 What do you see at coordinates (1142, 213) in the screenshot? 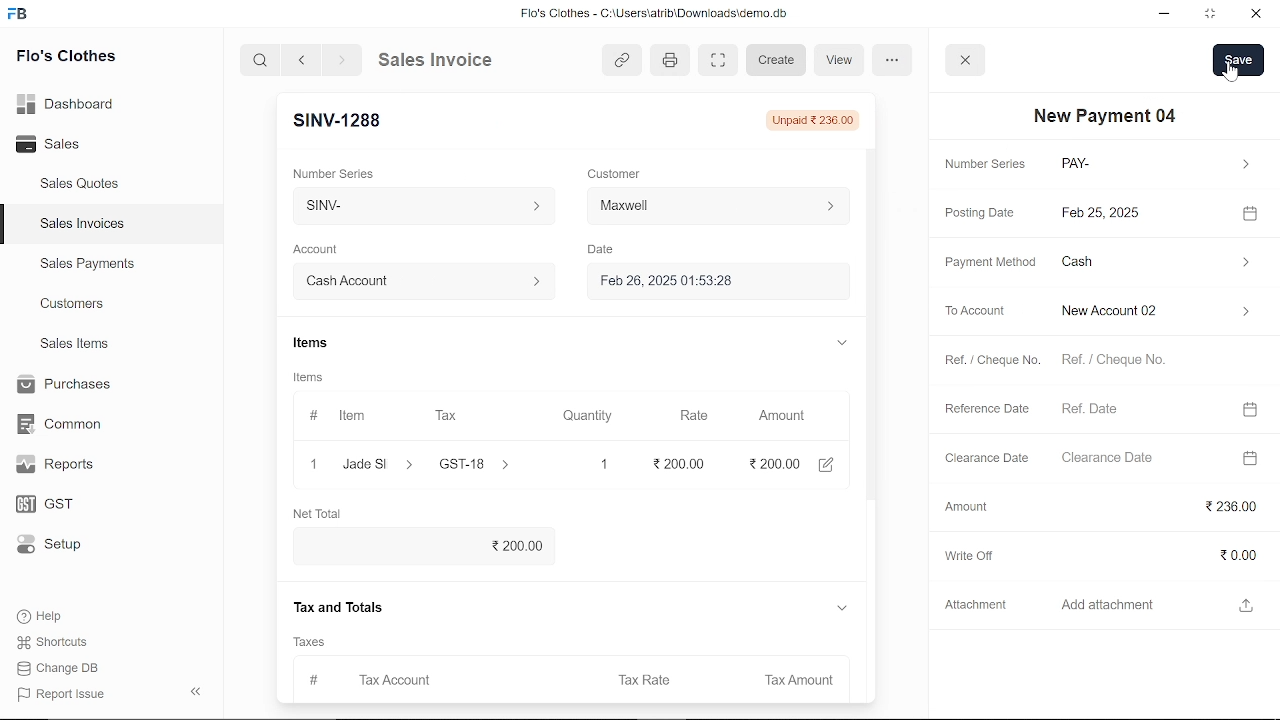
I see `Feb 25,2025` at bounding box center [1142, 213].